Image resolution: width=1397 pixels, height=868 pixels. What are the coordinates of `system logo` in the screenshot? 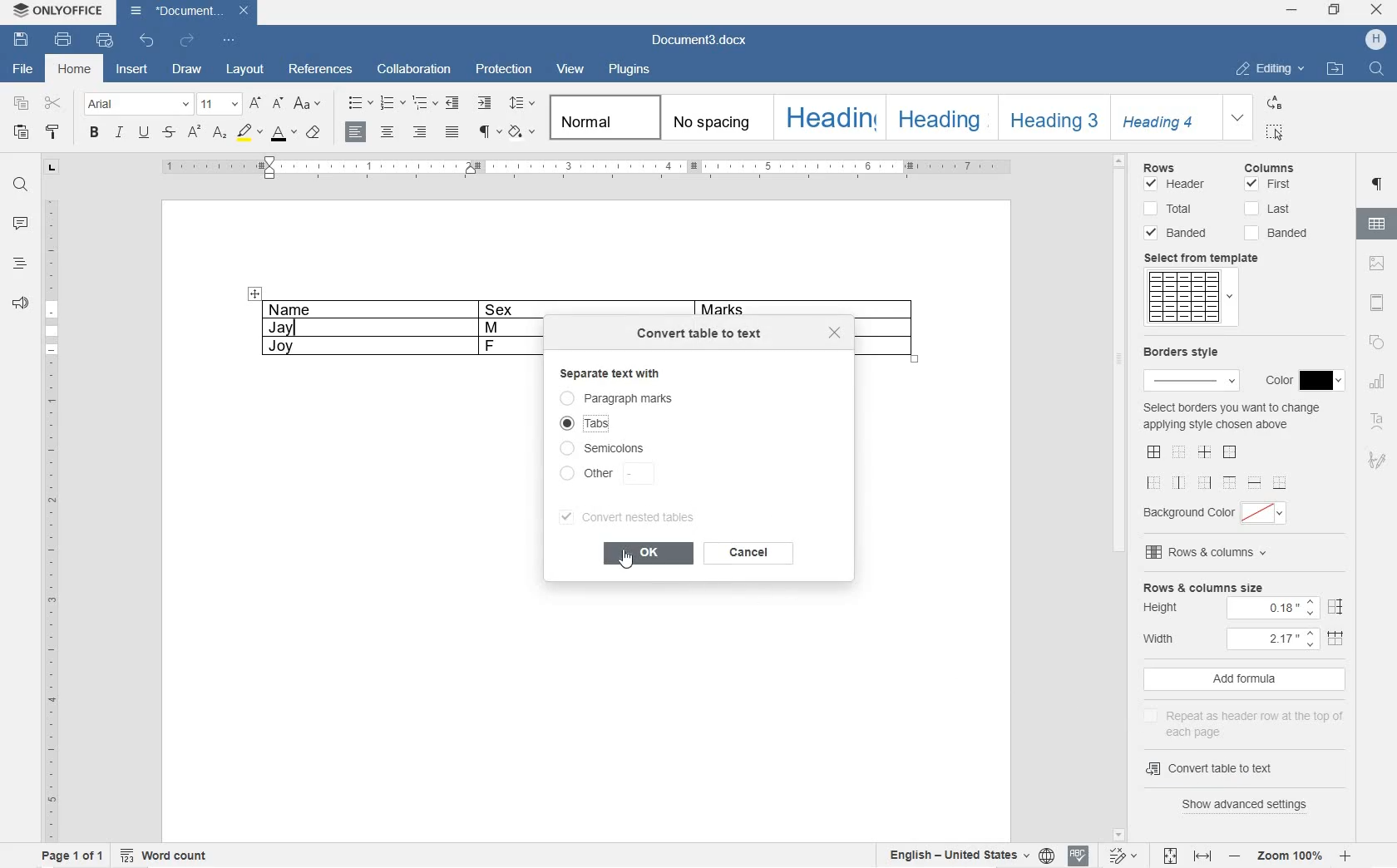 It's located at (20, 11).